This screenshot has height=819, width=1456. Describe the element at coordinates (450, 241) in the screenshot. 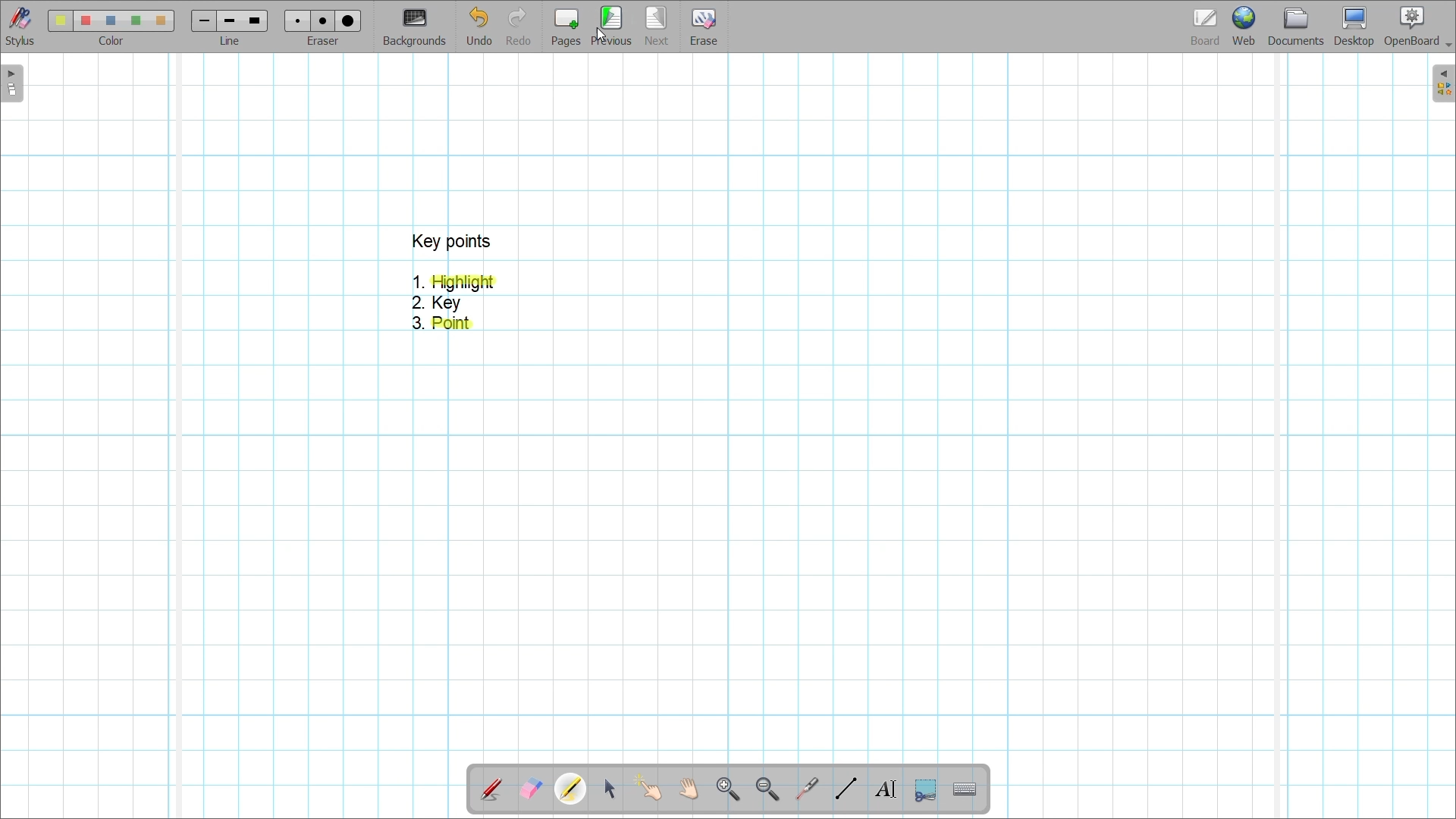

I see `key points` at that location.